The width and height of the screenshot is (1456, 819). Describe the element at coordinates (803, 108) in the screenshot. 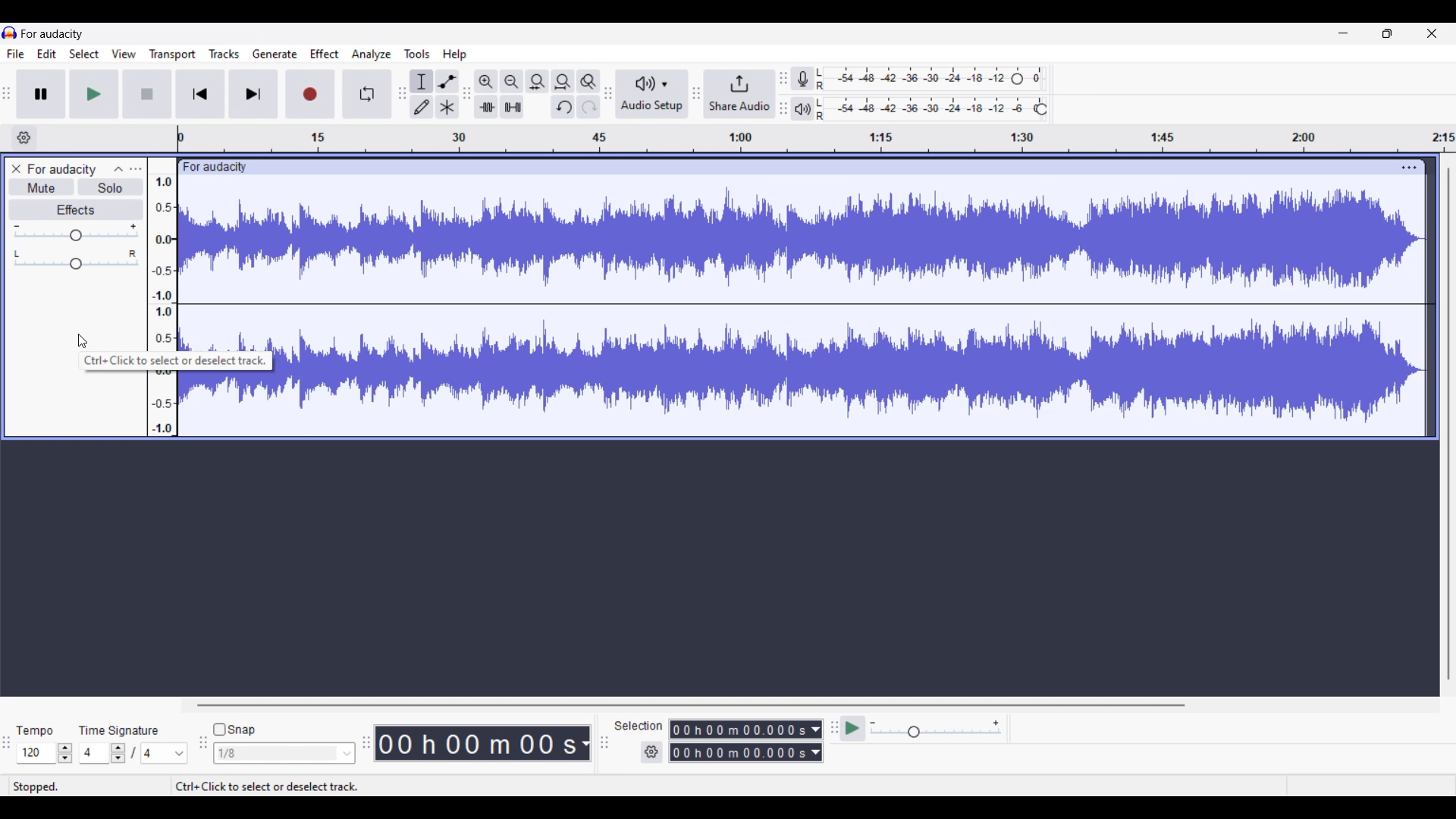

I see `Playback meter` at that location.